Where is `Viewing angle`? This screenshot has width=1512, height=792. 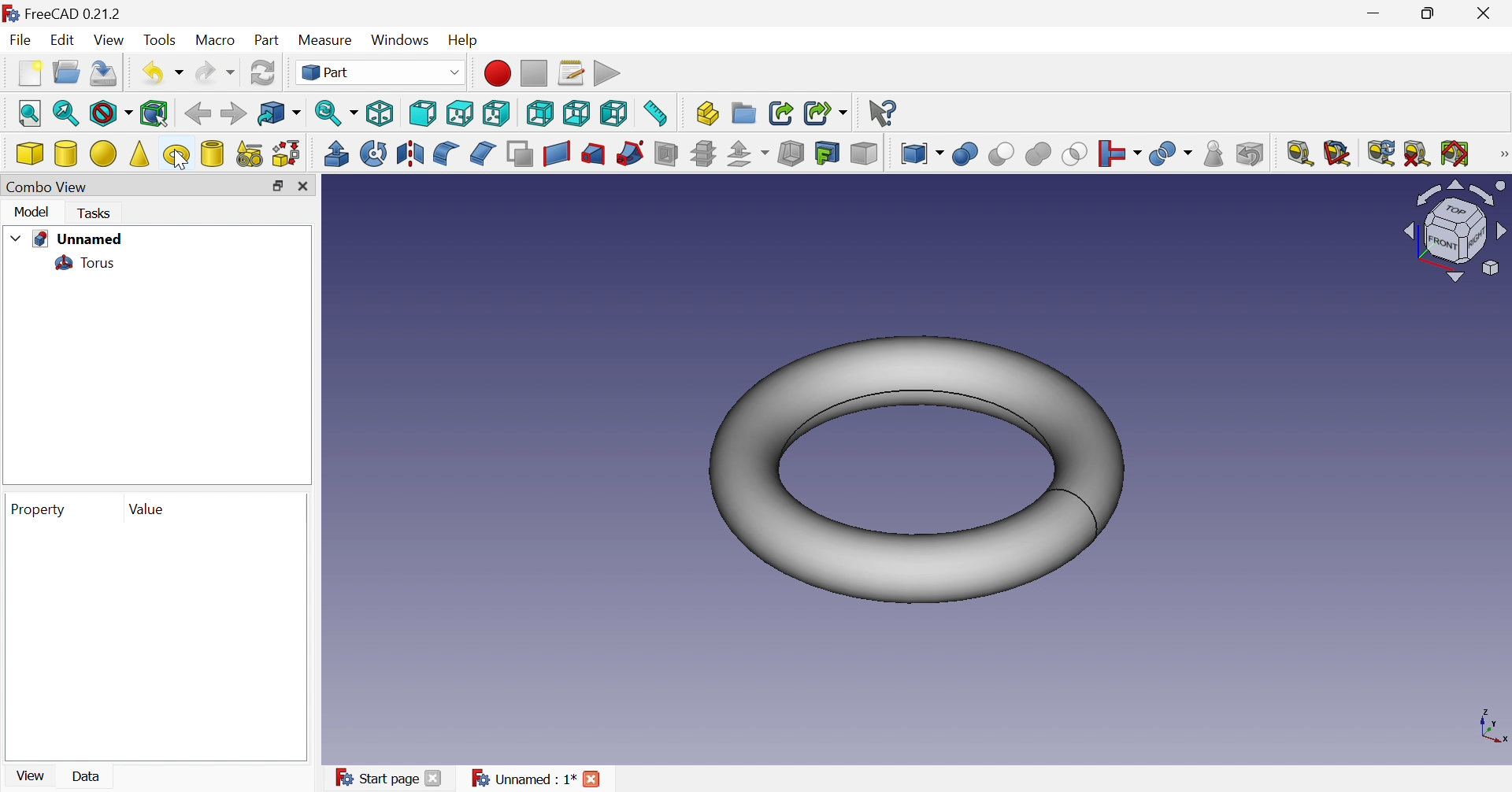
Viewing angle is located at coordinates (1455, 232).